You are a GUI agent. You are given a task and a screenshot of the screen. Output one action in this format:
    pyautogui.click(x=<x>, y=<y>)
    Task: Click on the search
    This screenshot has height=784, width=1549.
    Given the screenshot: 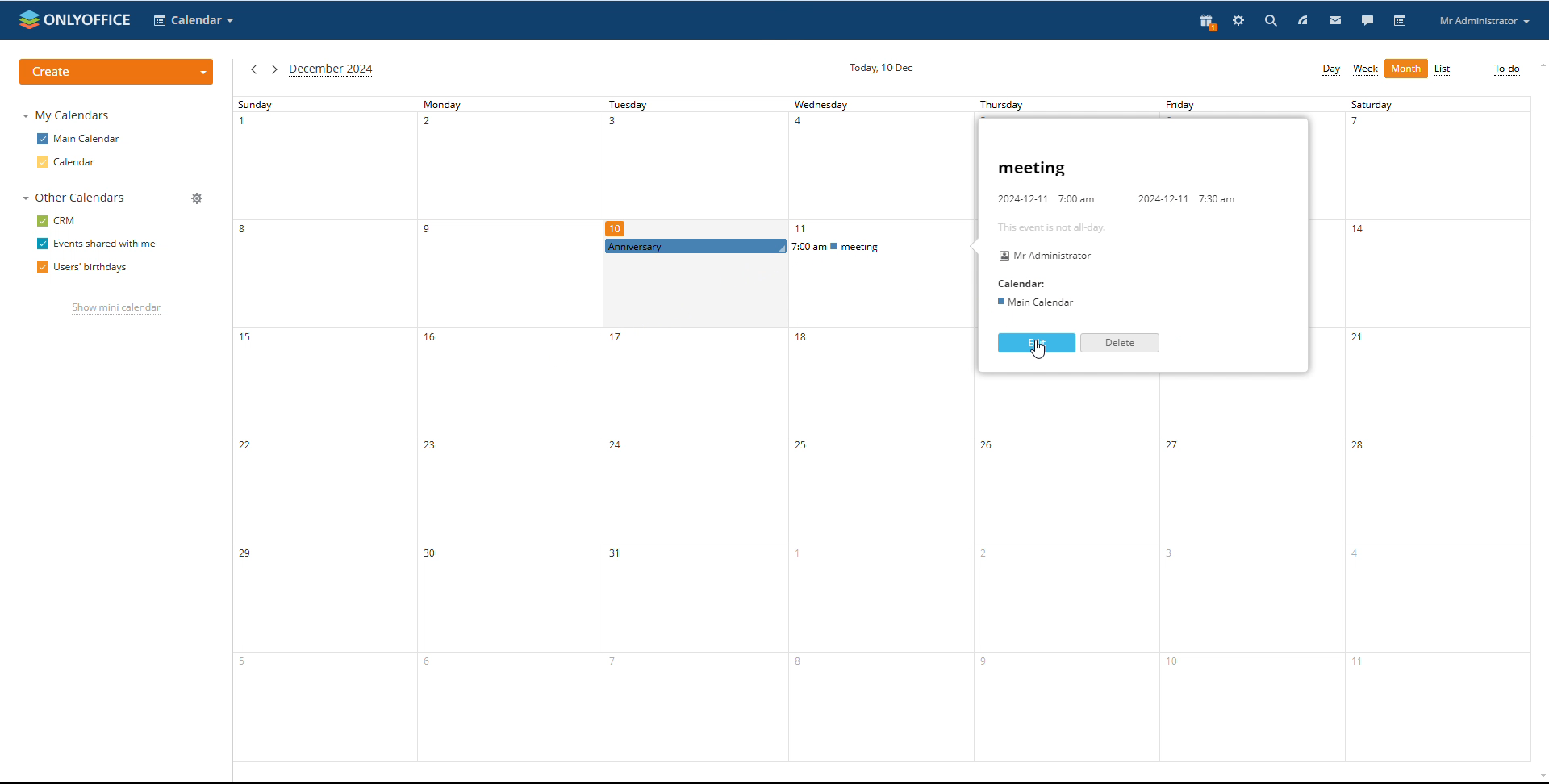 What is the action you would take?
    pyautogui.click(x=1322, y=21)
    